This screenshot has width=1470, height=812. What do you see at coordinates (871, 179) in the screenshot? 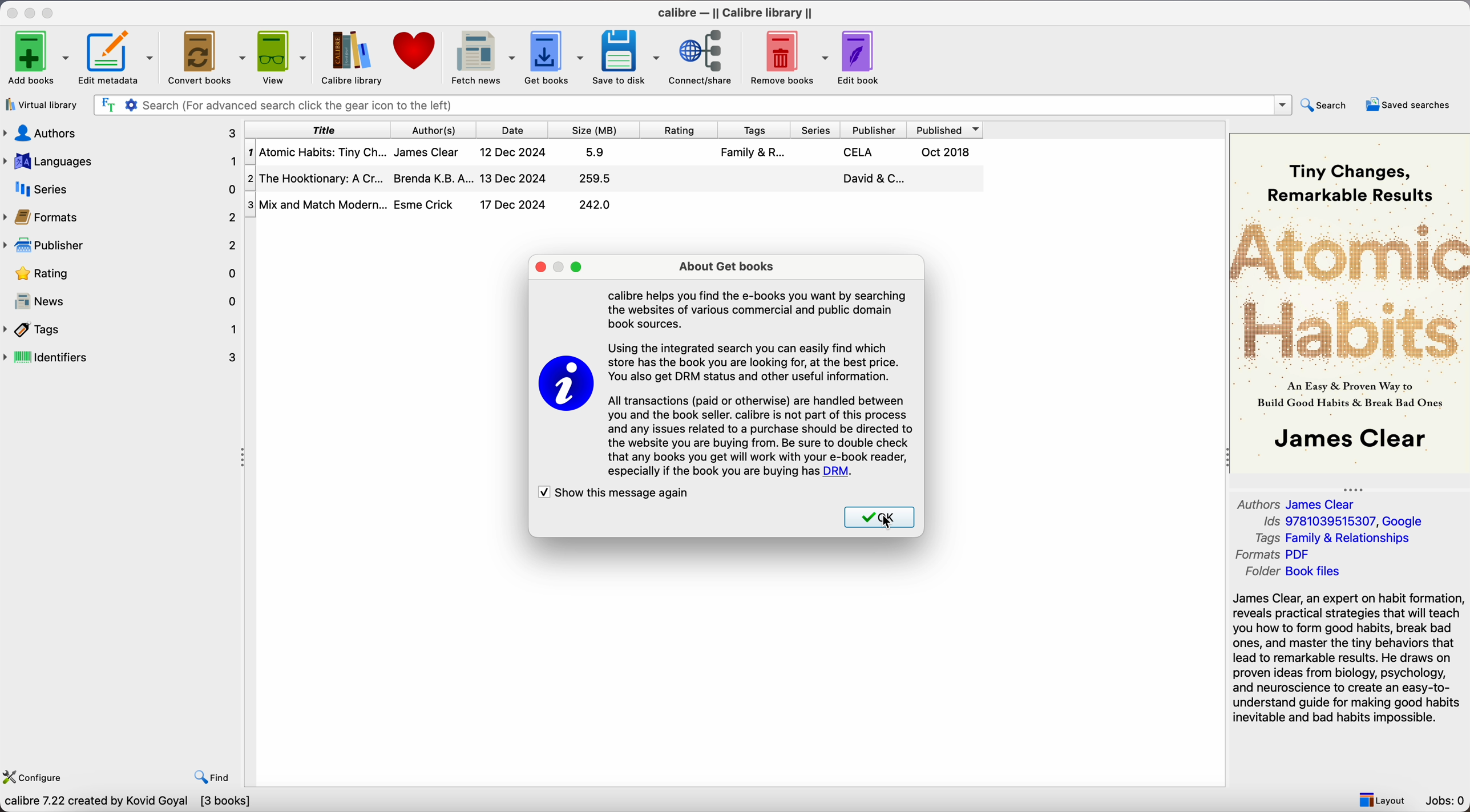
I see `David & C...` at bounding box center [871, 179].